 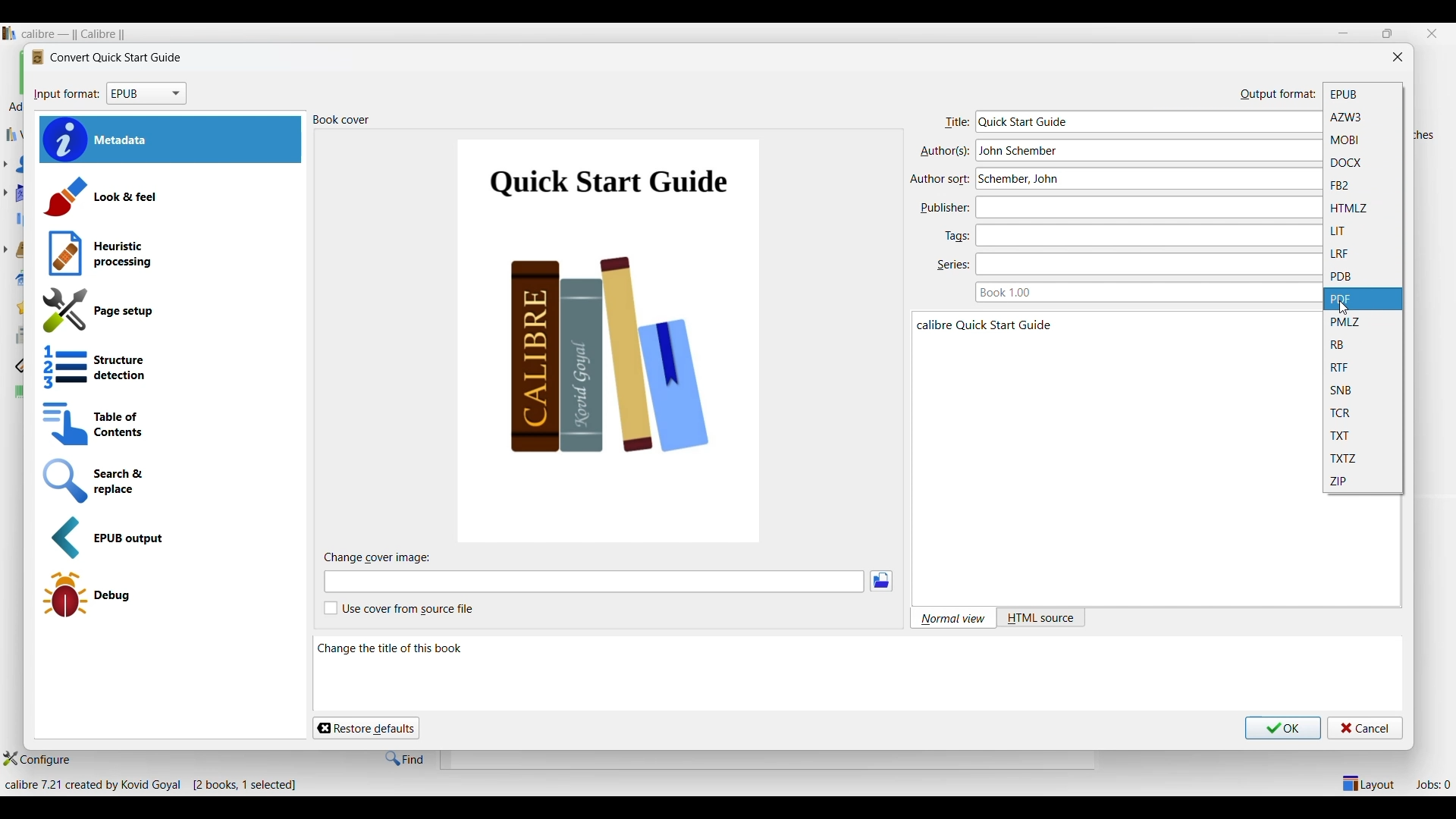 What do you see at coordinates (155, 785) in the screenshot?
I see `Details of software` at bounding box center [155, 785].